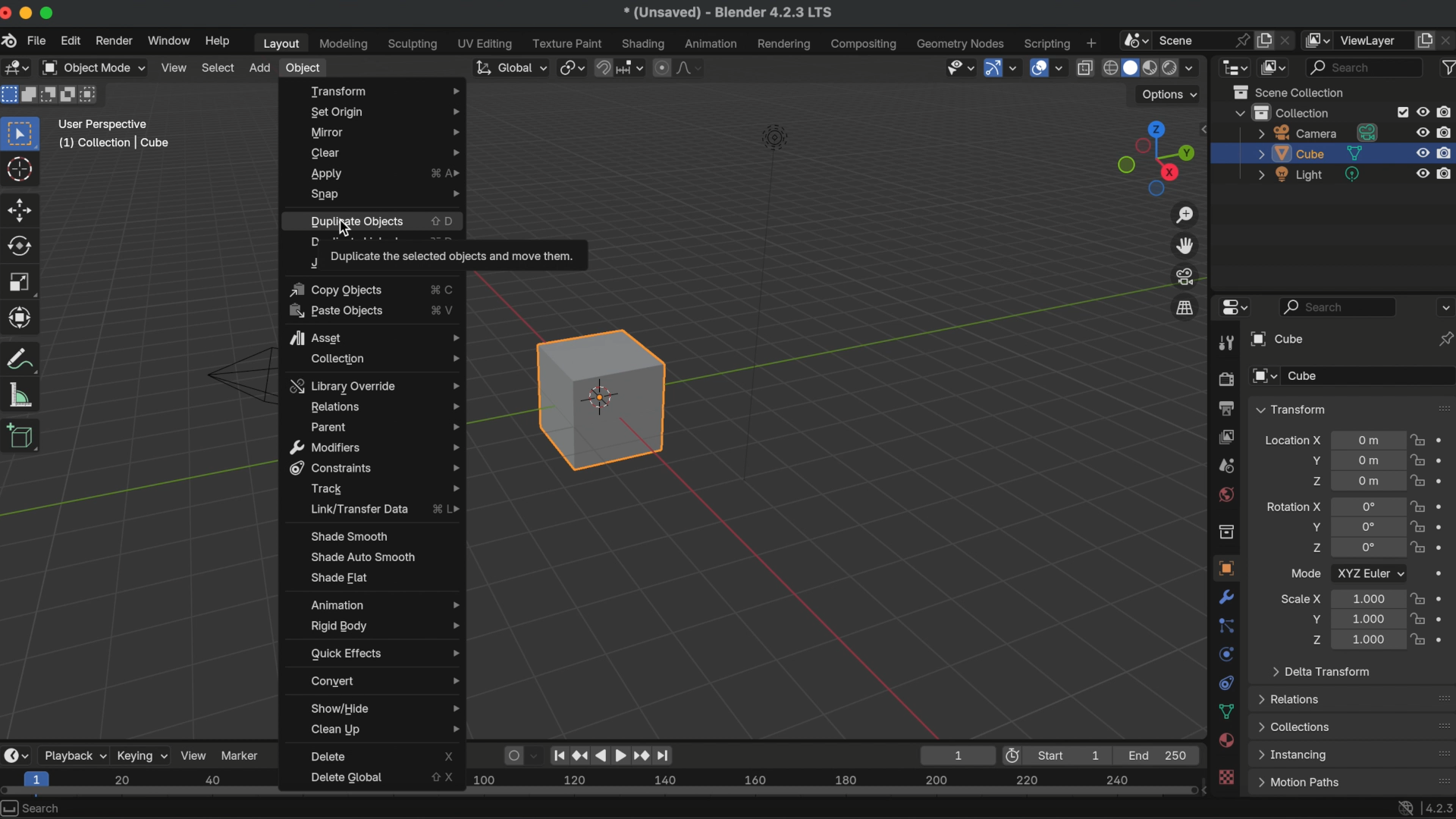  I want to click on rotate, so click(23, 246).